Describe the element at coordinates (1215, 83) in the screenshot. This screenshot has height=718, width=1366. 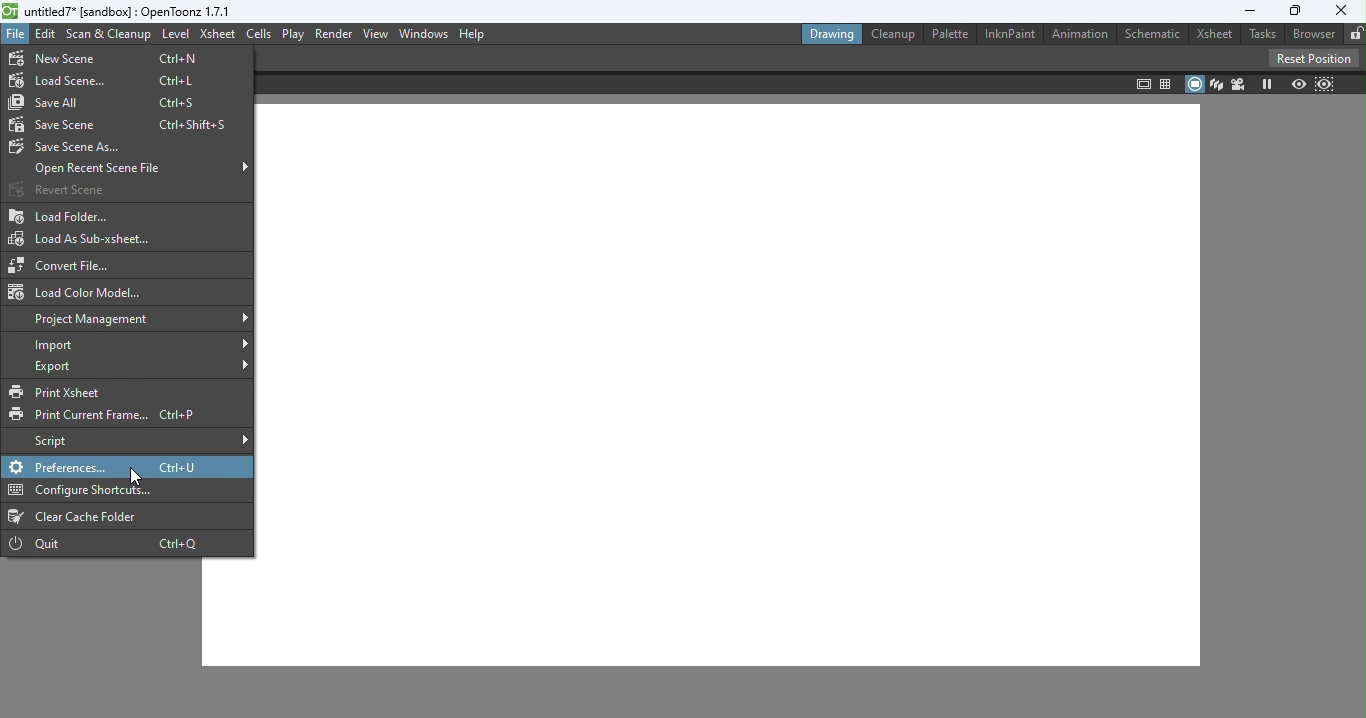
I see `3D view` at that location.